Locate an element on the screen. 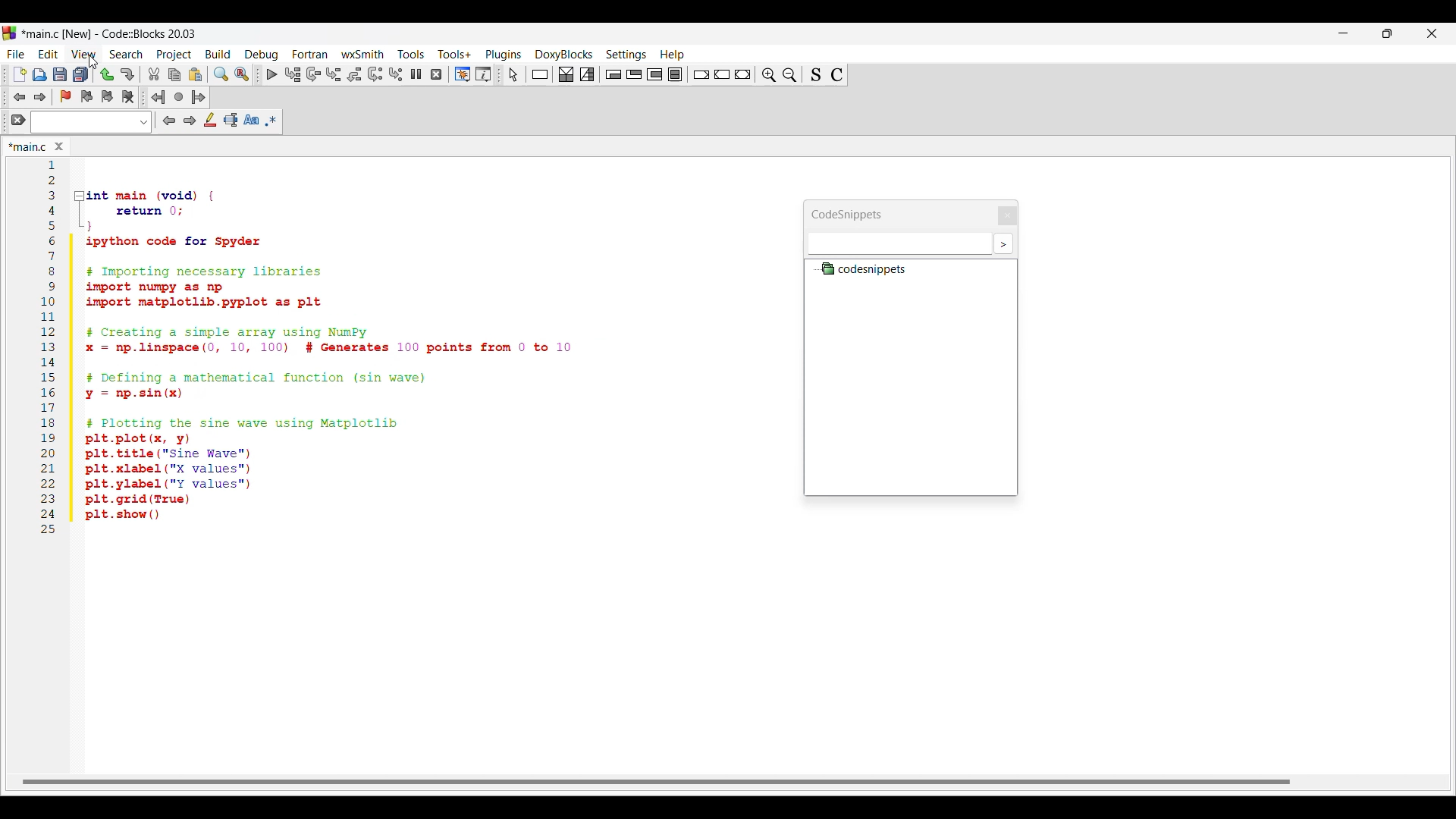 The height and width of the screenshot is (819, 1456). Tools+ menu is located at coordinates (454, 54).